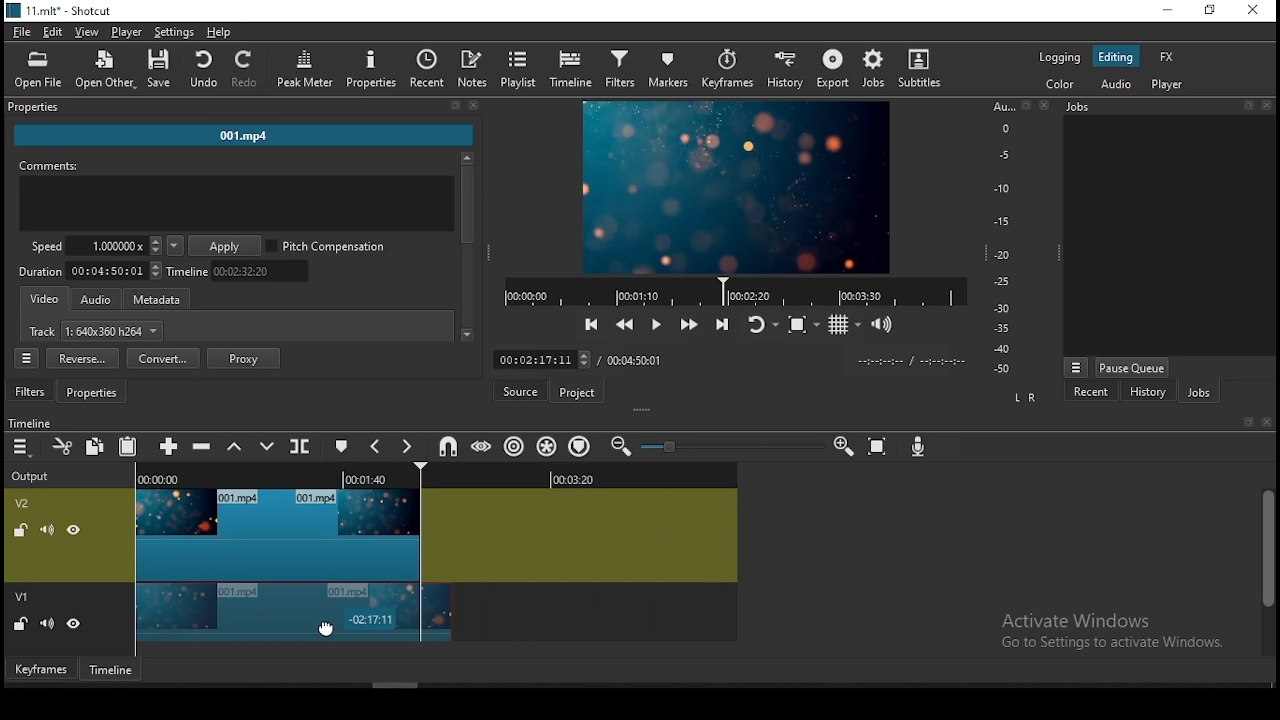 The image size is (1280, 720). What do you see at coordinates (845, 444) in the screenshot?
I see `zoom timeline` at bounding box center [845, 444].